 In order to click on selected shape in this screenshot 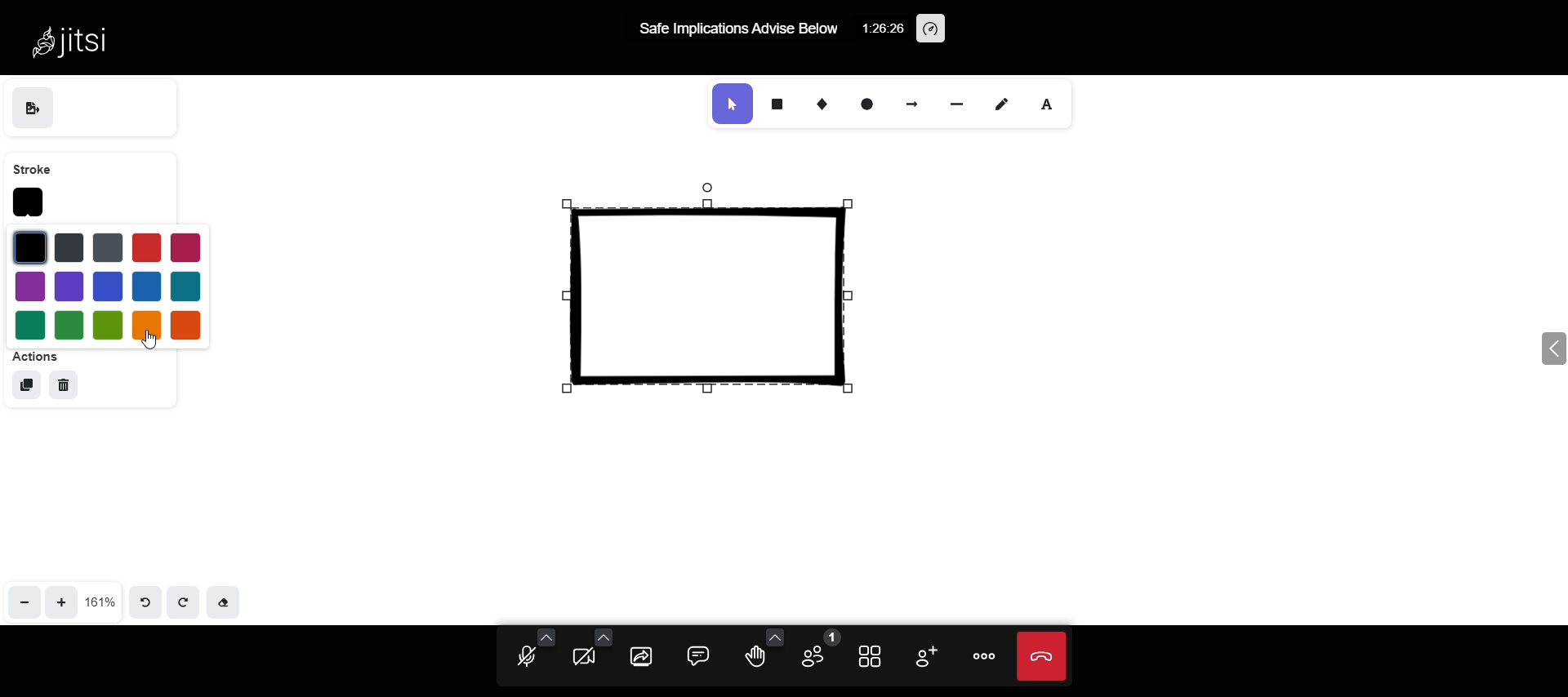, I will do `click(721, 293)`.